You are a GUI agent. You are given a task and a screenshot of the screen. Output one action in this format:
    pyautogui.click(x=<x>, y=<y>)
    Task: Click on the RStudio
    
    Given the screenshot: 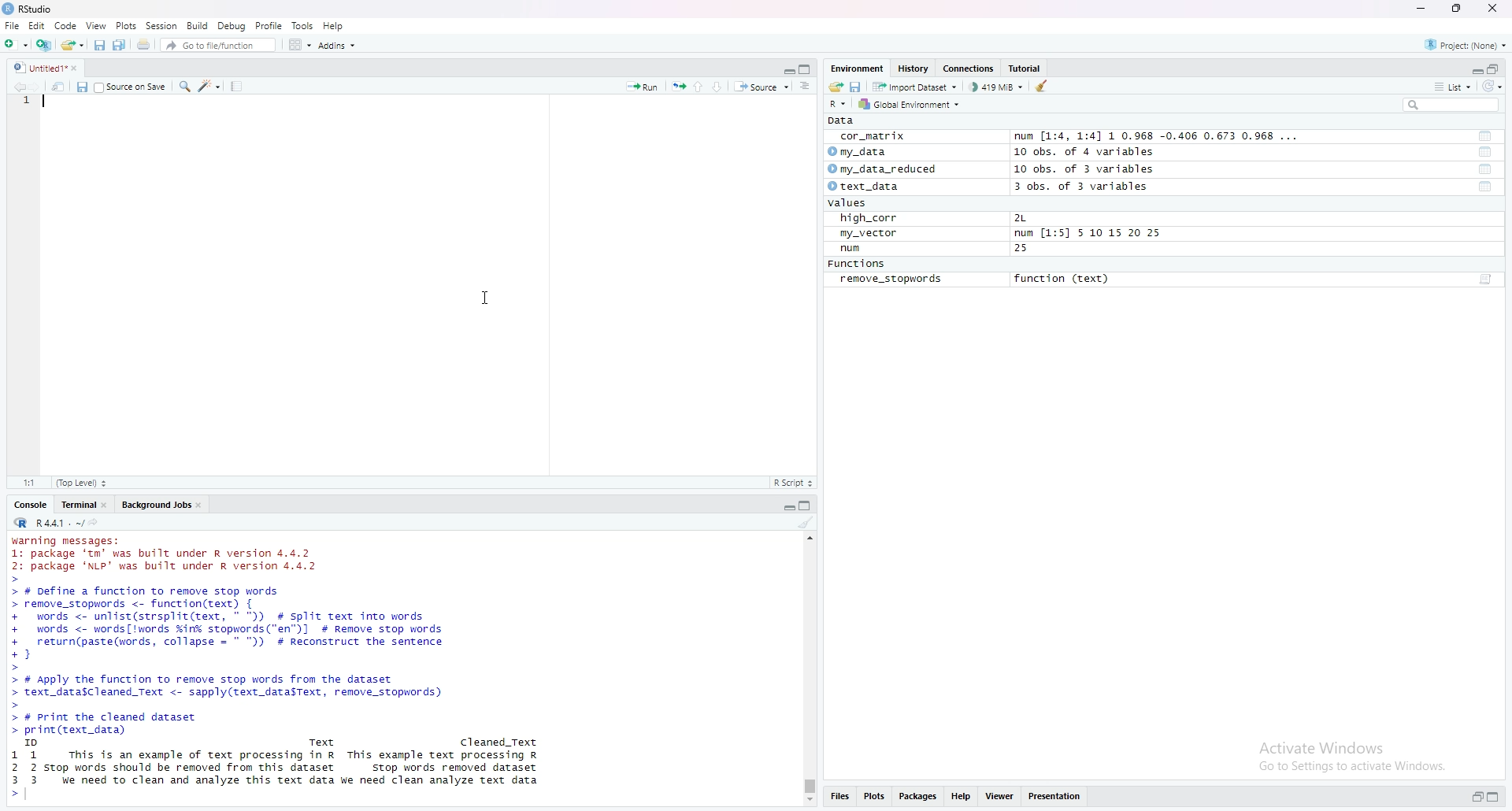 What is the action you would take?
    pyautogui.click(x=28, y=9)
    